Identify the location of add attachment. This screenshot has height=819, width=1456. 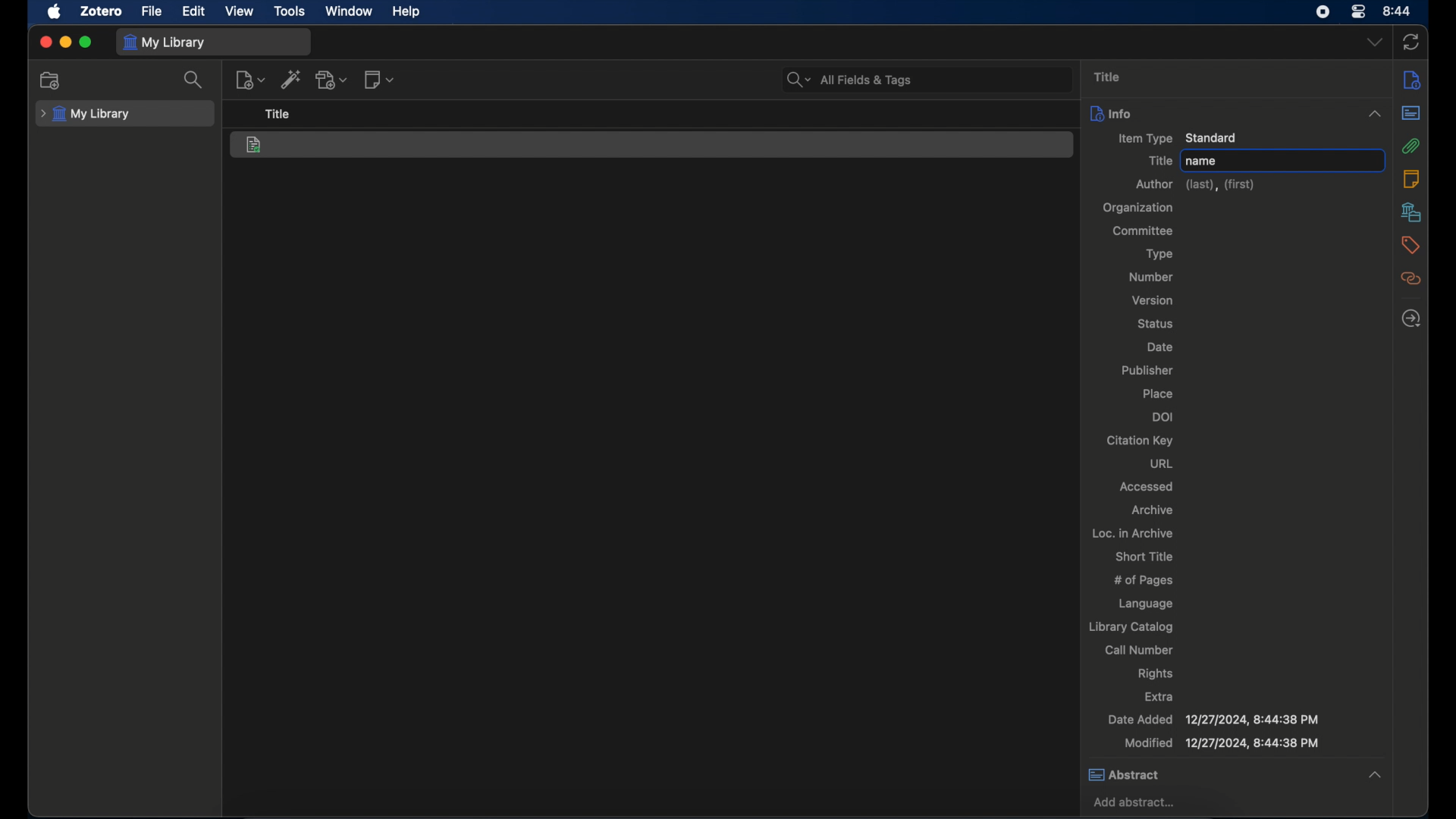
(333, 80).